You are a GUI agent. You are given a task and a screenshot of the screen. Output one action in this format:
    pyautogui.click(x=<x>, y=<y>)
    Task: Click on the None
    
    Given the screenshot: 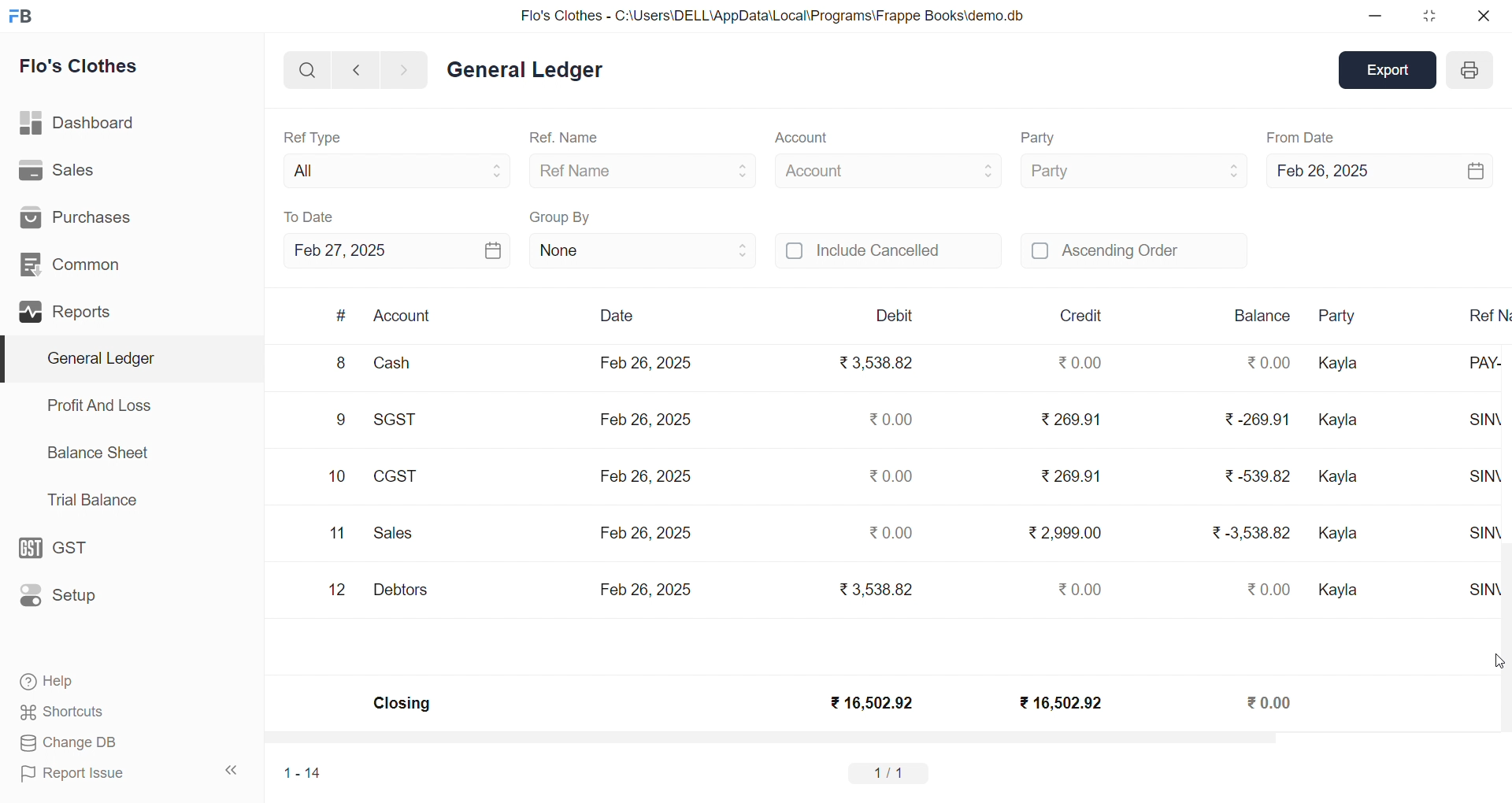 What is the action you would take?
    pyautogui.click(x=643, y=250)
    